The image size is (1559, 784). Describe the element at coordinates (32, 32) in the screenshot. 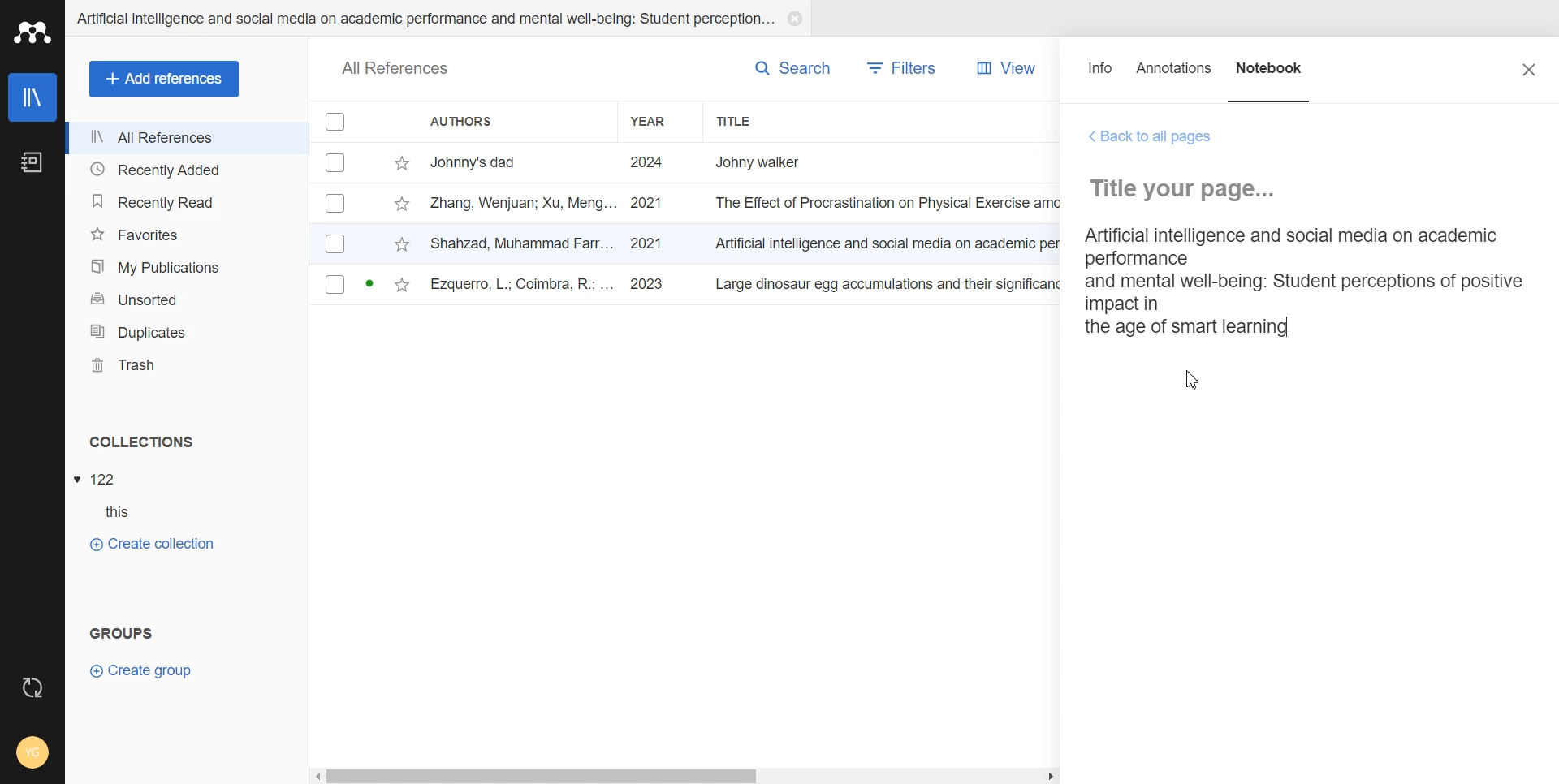

I see `Logo` at that location.